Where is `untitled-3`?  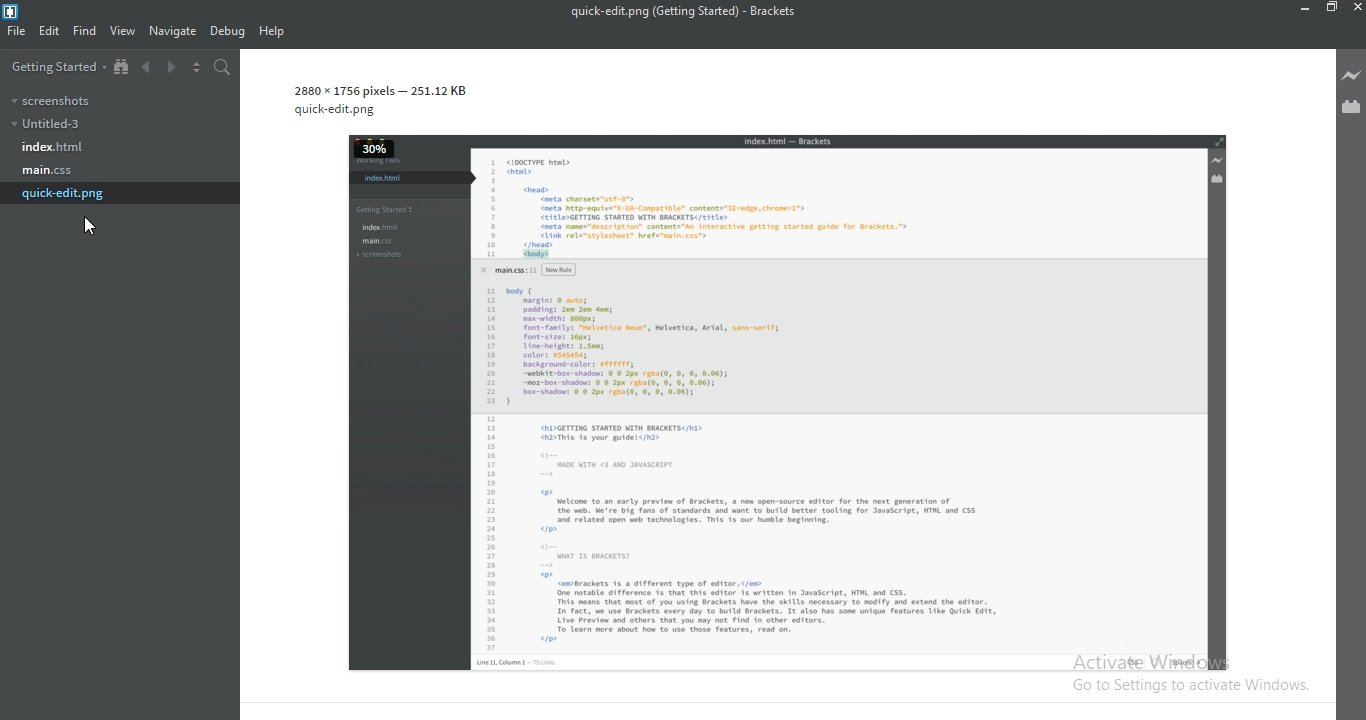 untitled-3 is located at coordinates (45, 123).